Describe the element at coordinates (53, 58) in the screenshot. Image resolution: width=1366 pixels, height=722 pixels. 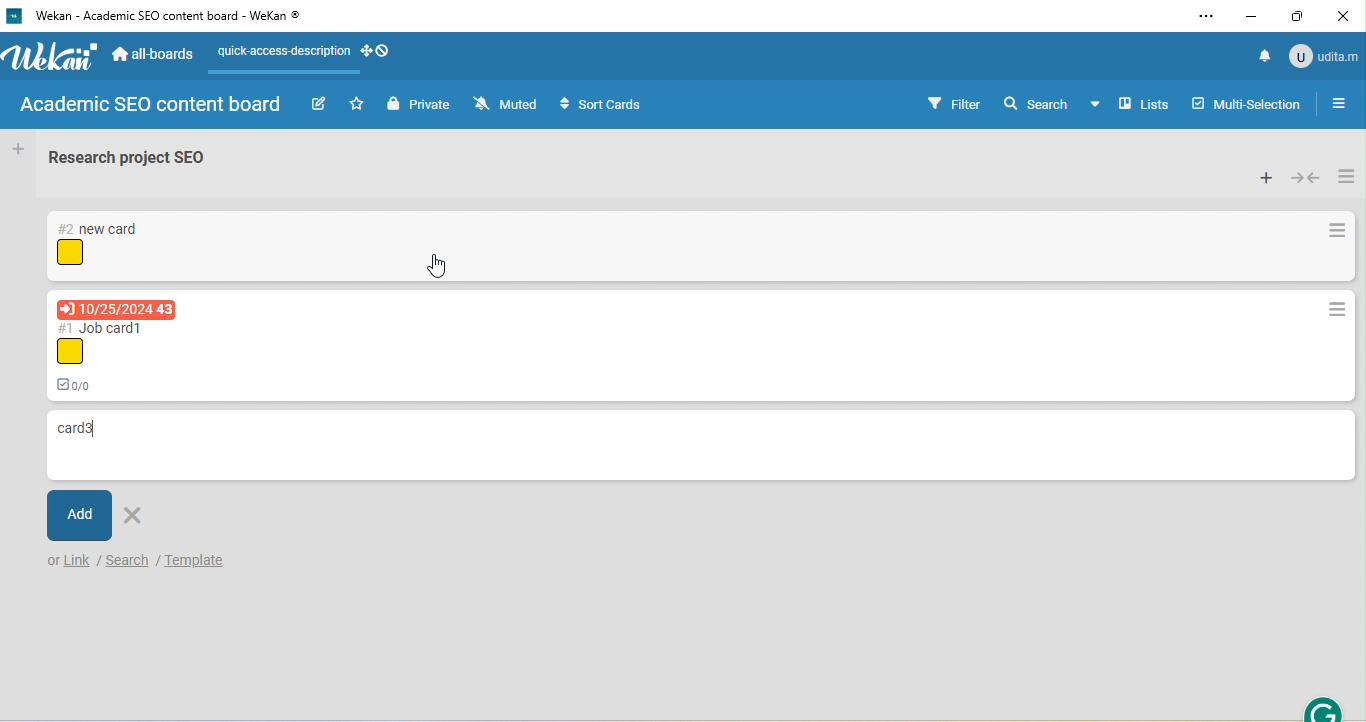
I see `wekan` at that location.